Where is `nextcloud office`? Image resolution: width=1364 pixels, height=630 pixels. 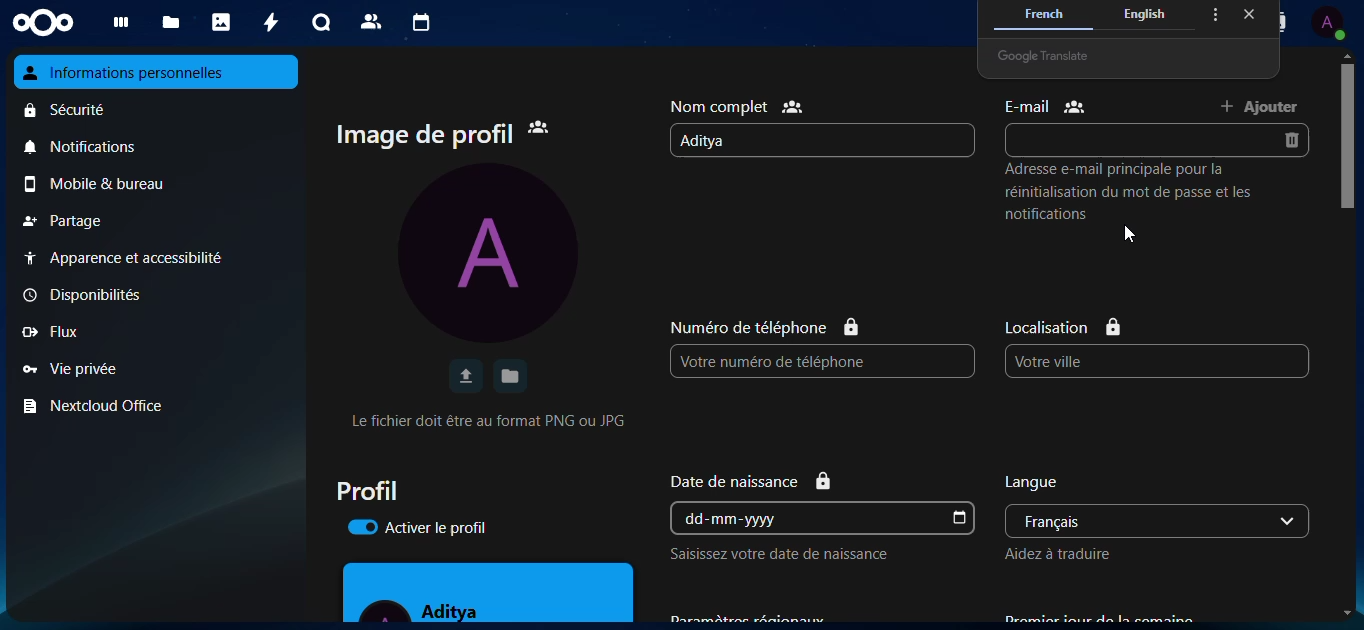
nextcloud office is located at coordinates (102, 406).